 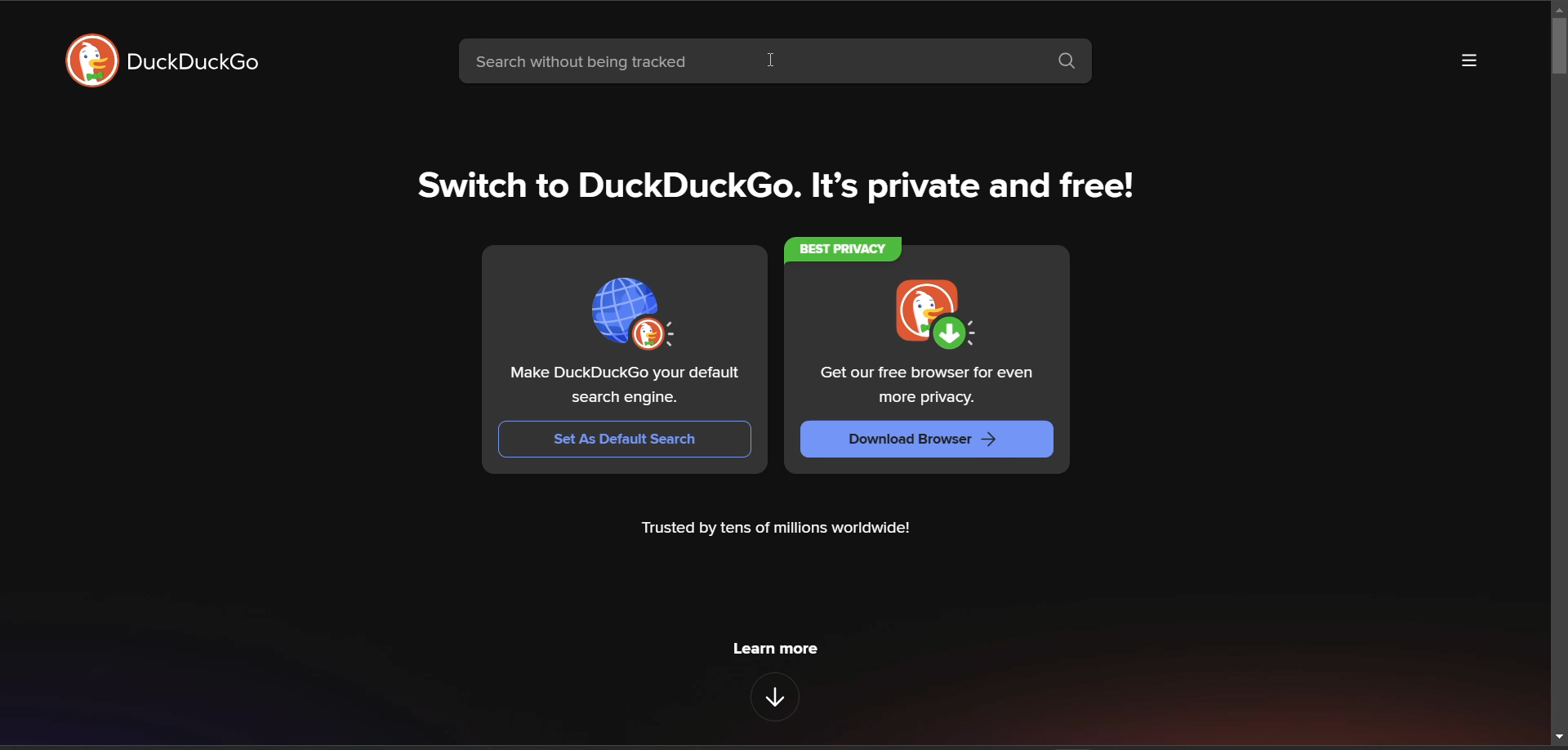 I want to click on learn more, so click(x=777, y=647).